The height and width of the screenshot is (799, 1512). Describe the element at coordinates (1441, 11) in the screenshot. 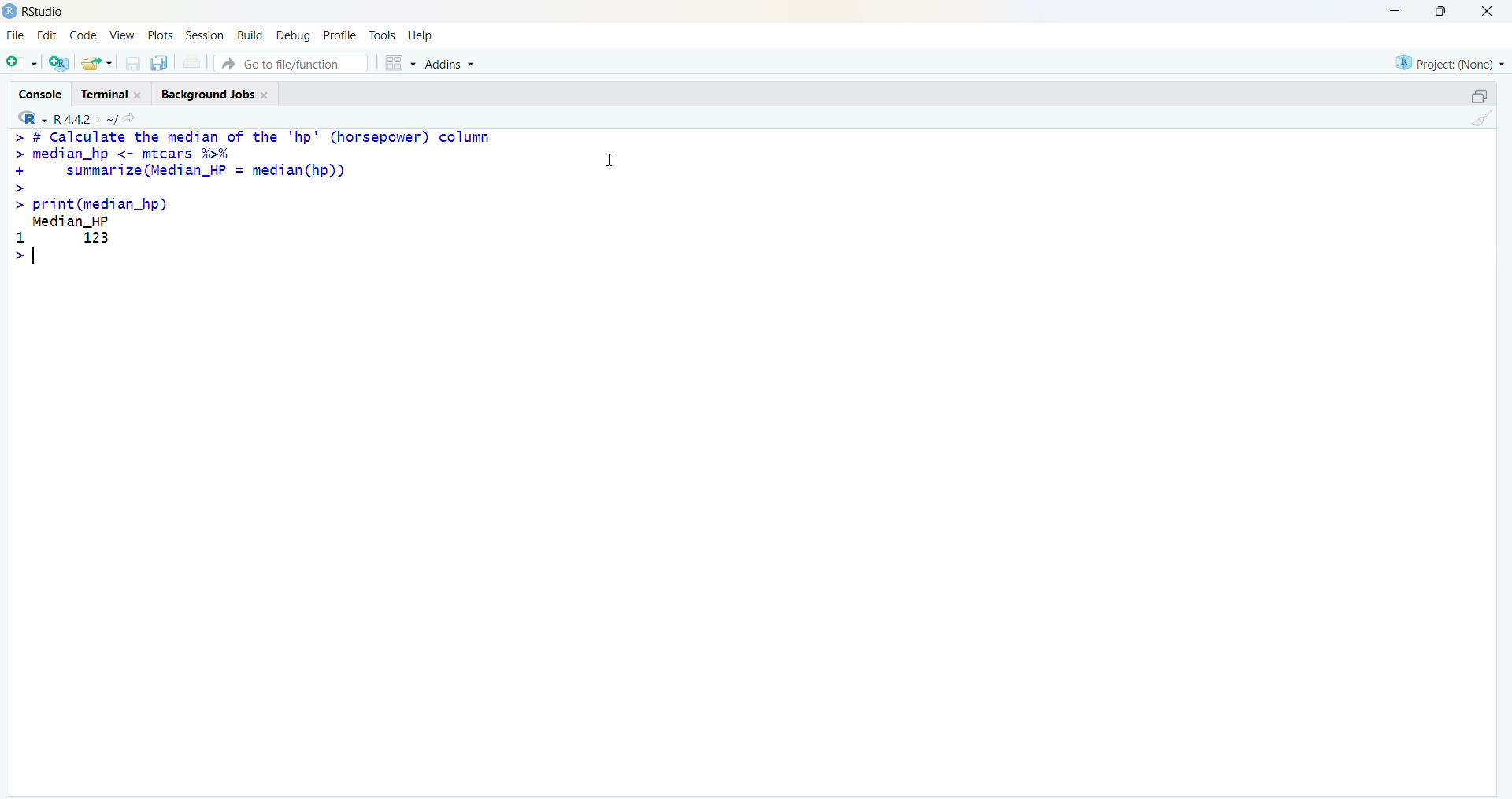

I see `maximise` at that location.